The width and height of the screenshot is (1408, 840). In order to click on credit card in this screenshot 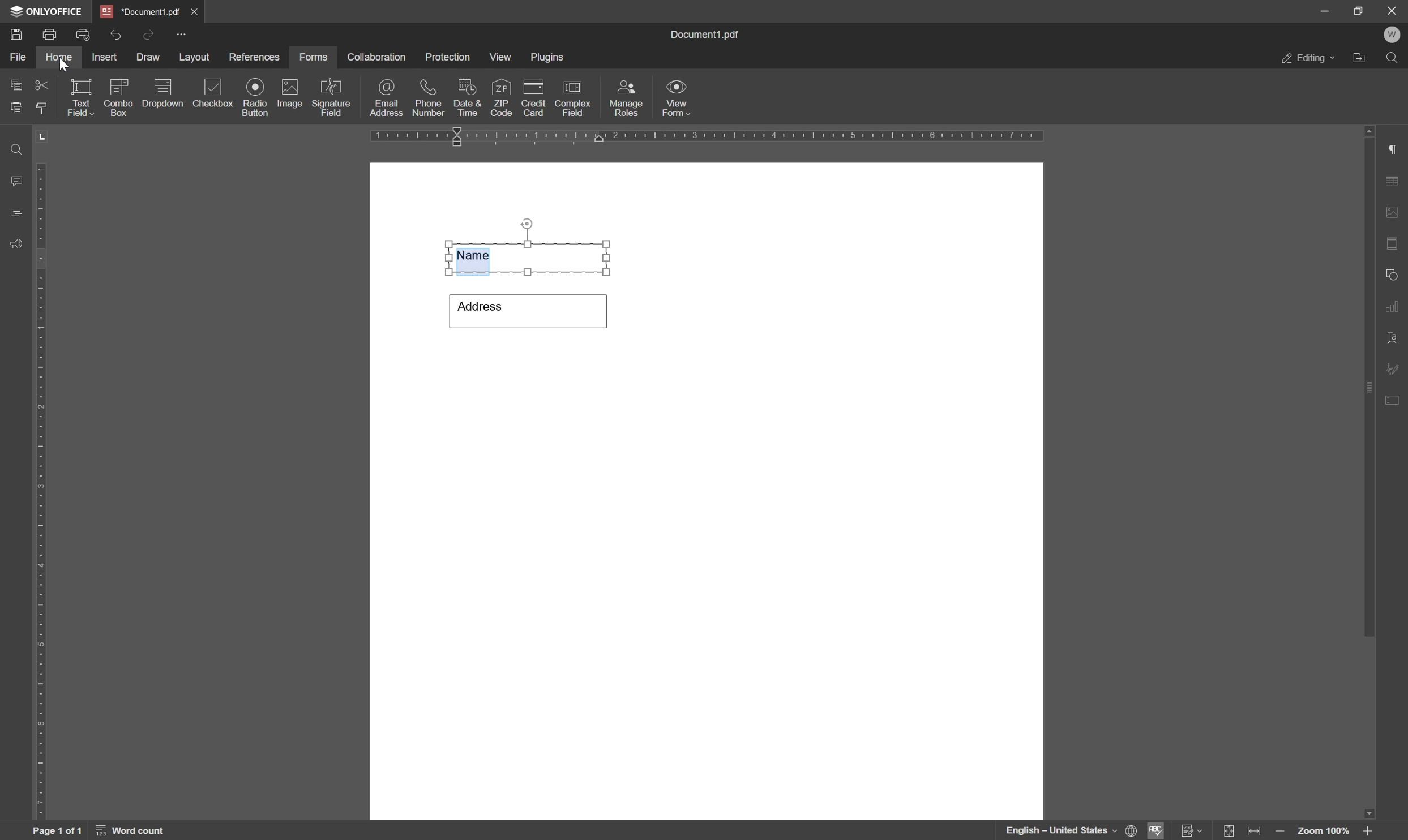, I will do `click(534, 97)`.